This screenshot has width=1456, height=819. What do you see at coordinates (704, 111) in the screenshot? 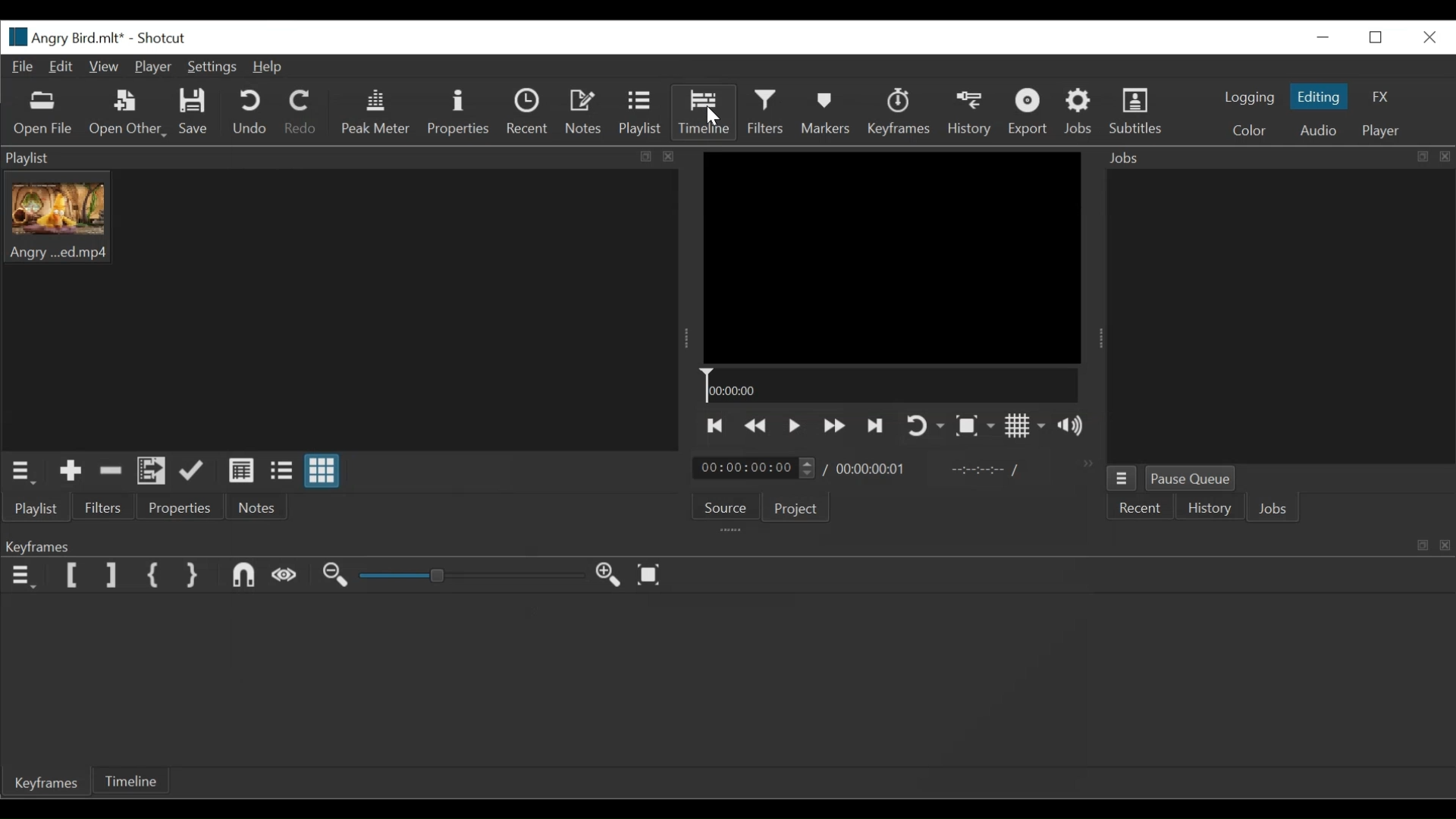
I see `Timeline` at bounding box center [704, 111].